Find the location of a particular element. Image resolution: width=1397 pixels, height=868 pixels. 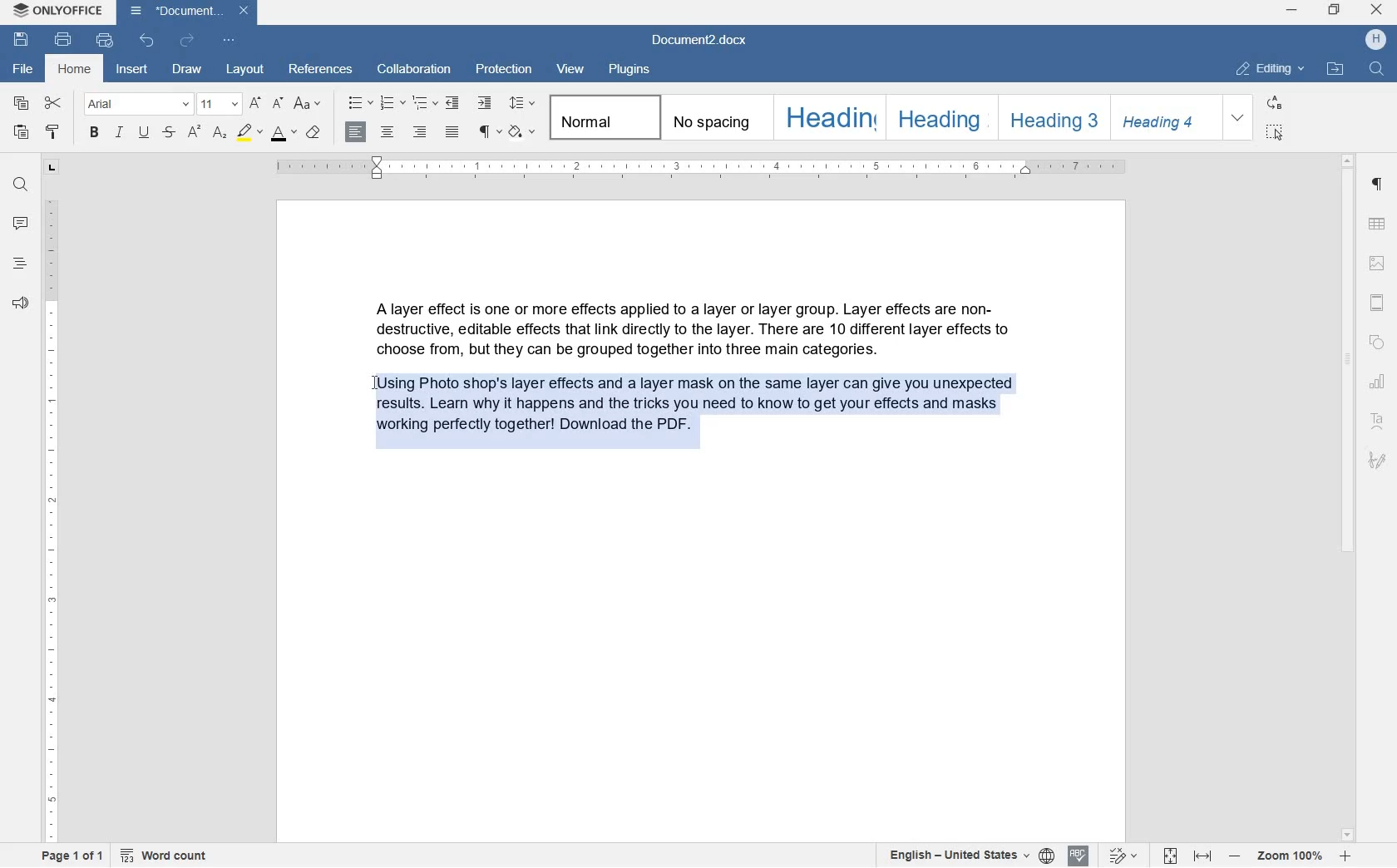

HEADINGS is located at coordinates (20, 264).